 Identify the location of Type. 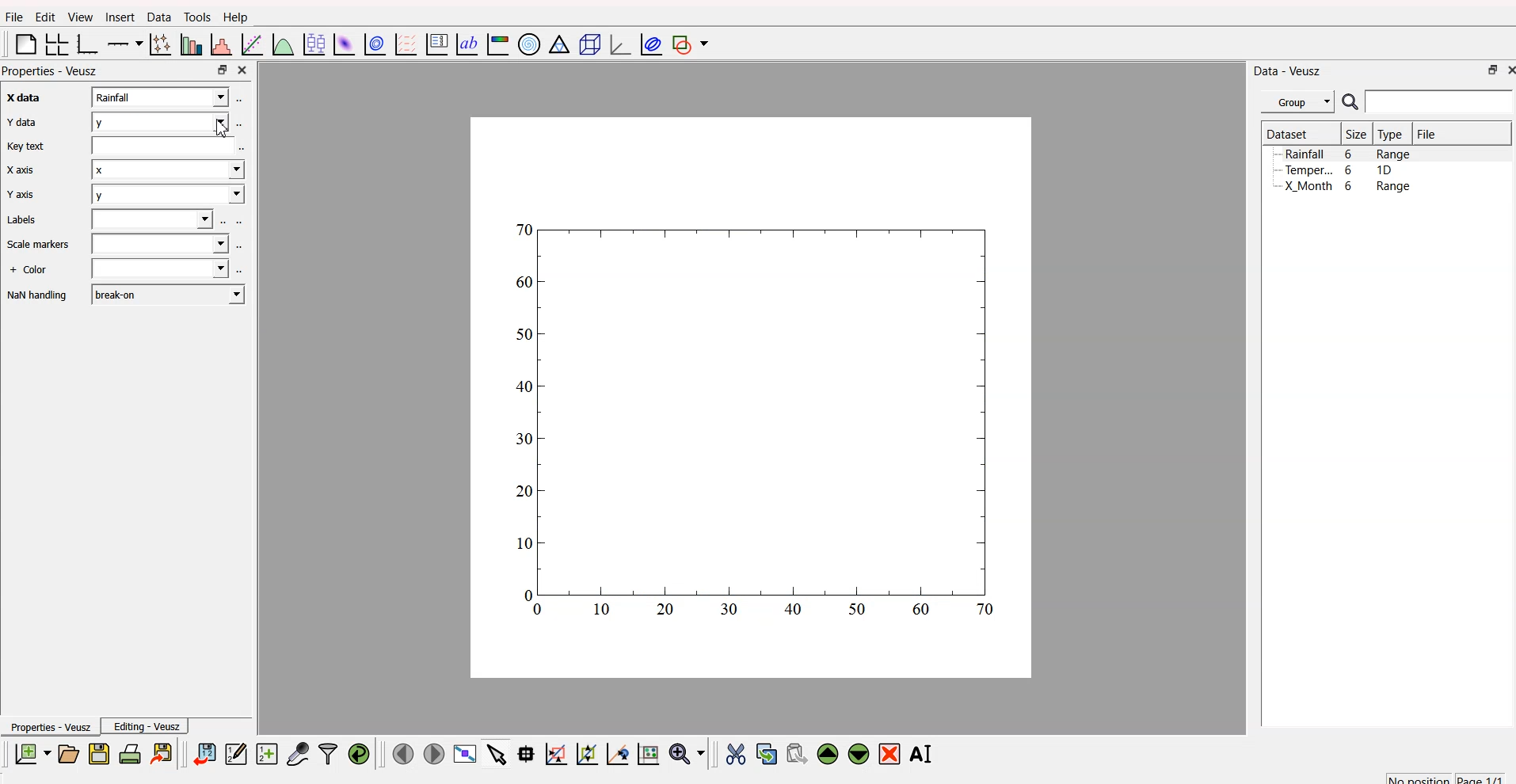
(1391, 135).